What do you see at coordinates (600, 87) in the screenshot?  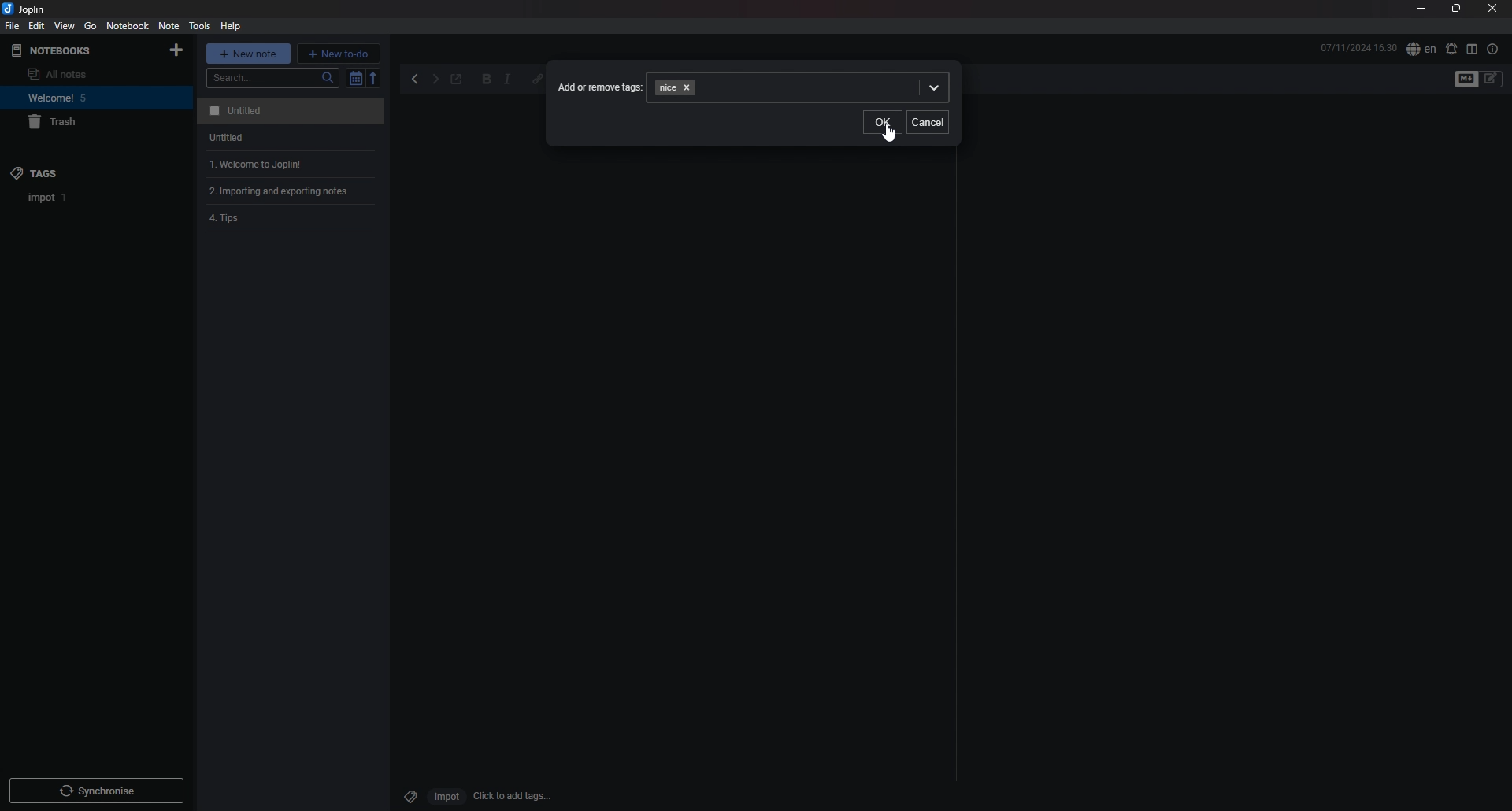 I see `add or remove tags` at bounding box center [600, 87].